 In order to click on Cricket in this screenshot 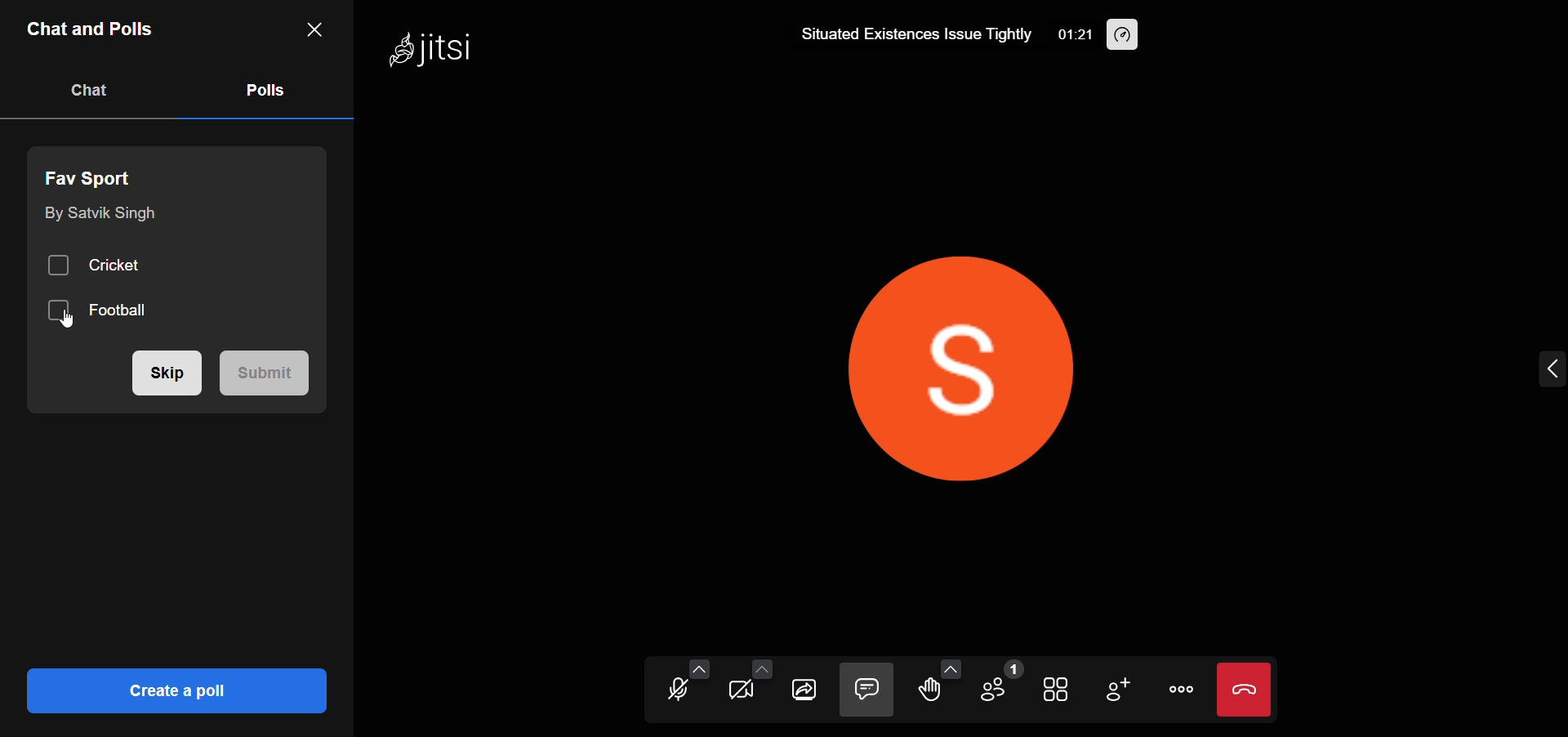, I will do `click(94, 266)`.